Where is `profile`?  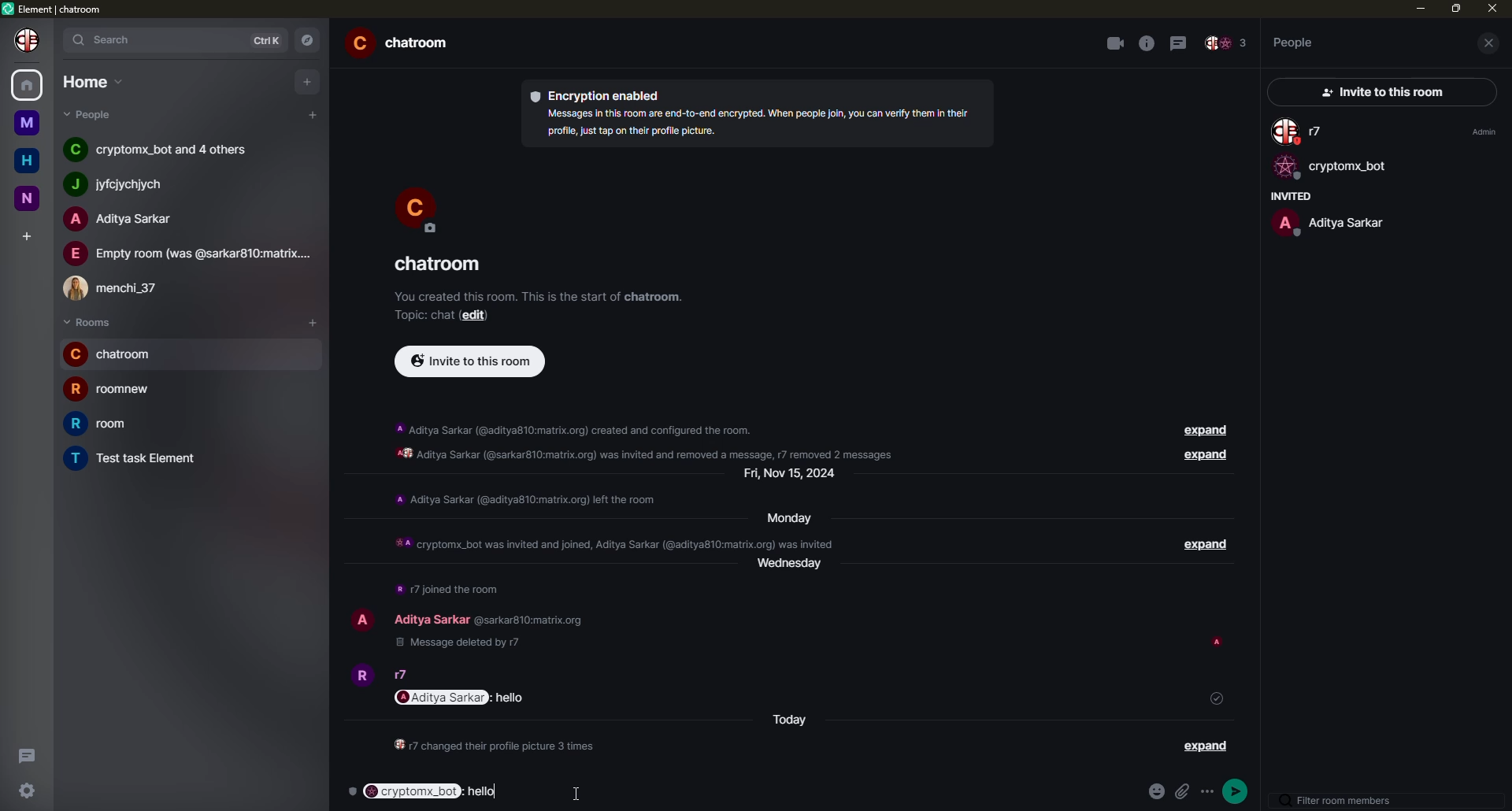
profile is located at coordinates (30, 39).